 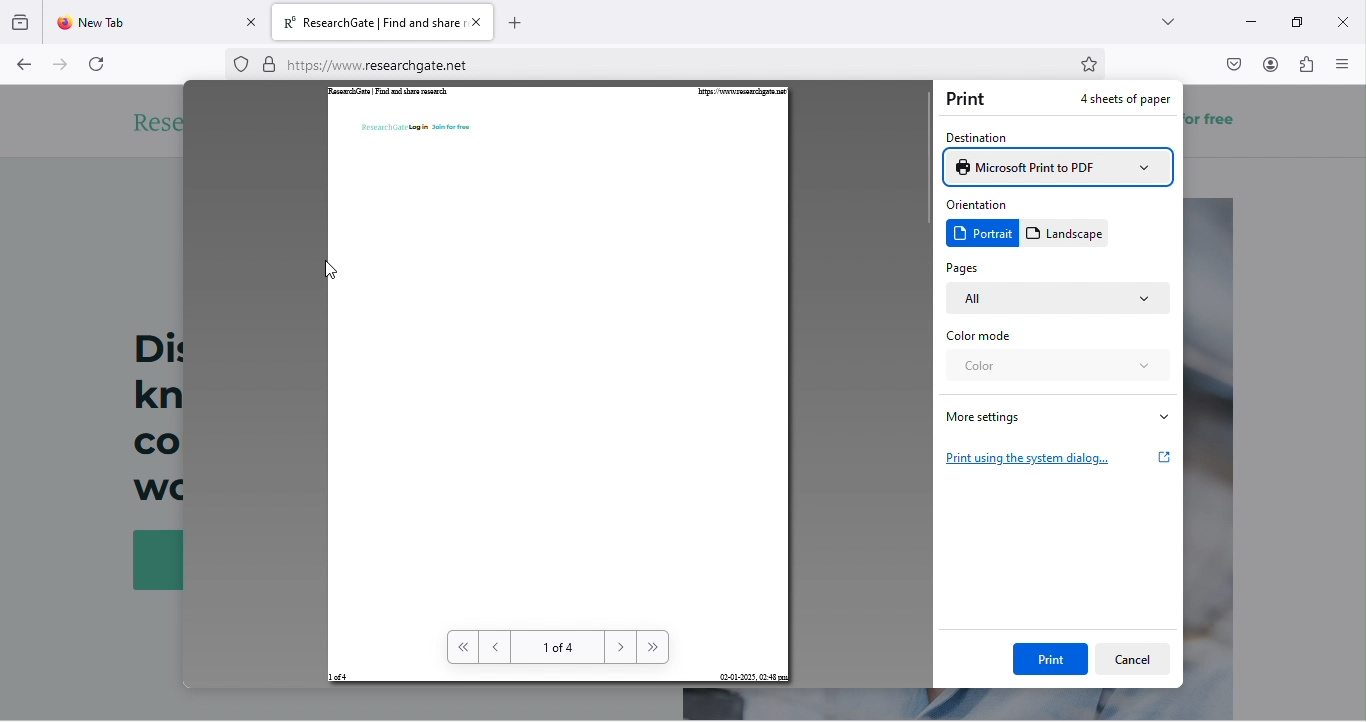 What do you see at coordinates (640, 60) in the screenshot?
I see `web link` at bounding box center [640, 60].